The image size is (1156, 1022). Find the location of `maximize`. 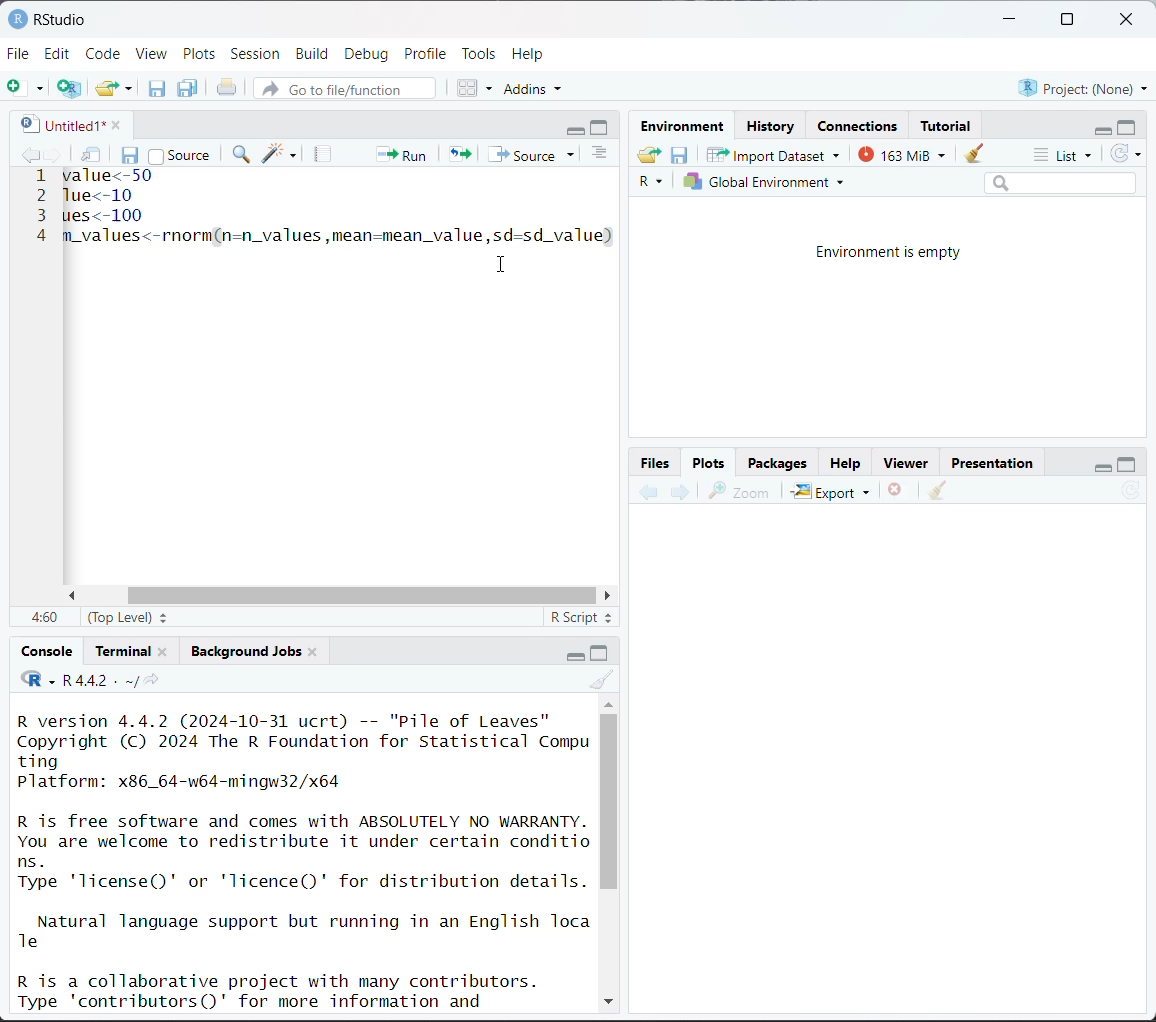

maximize is located at coordinates (601, 652).